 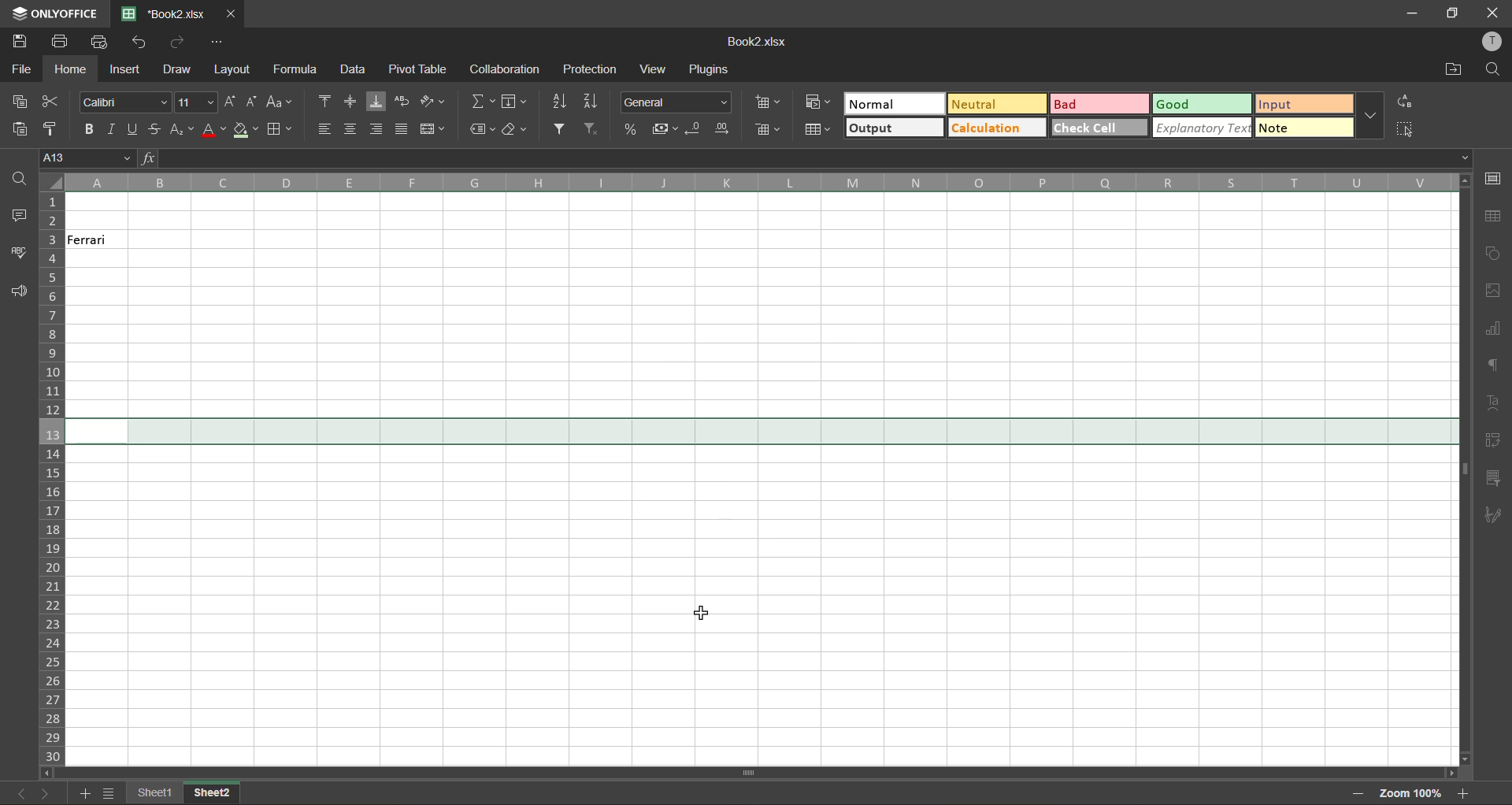 What do you see at coordinates (150, 158) in the screenshot?
I see `fx` at bounding box center [150, 158].